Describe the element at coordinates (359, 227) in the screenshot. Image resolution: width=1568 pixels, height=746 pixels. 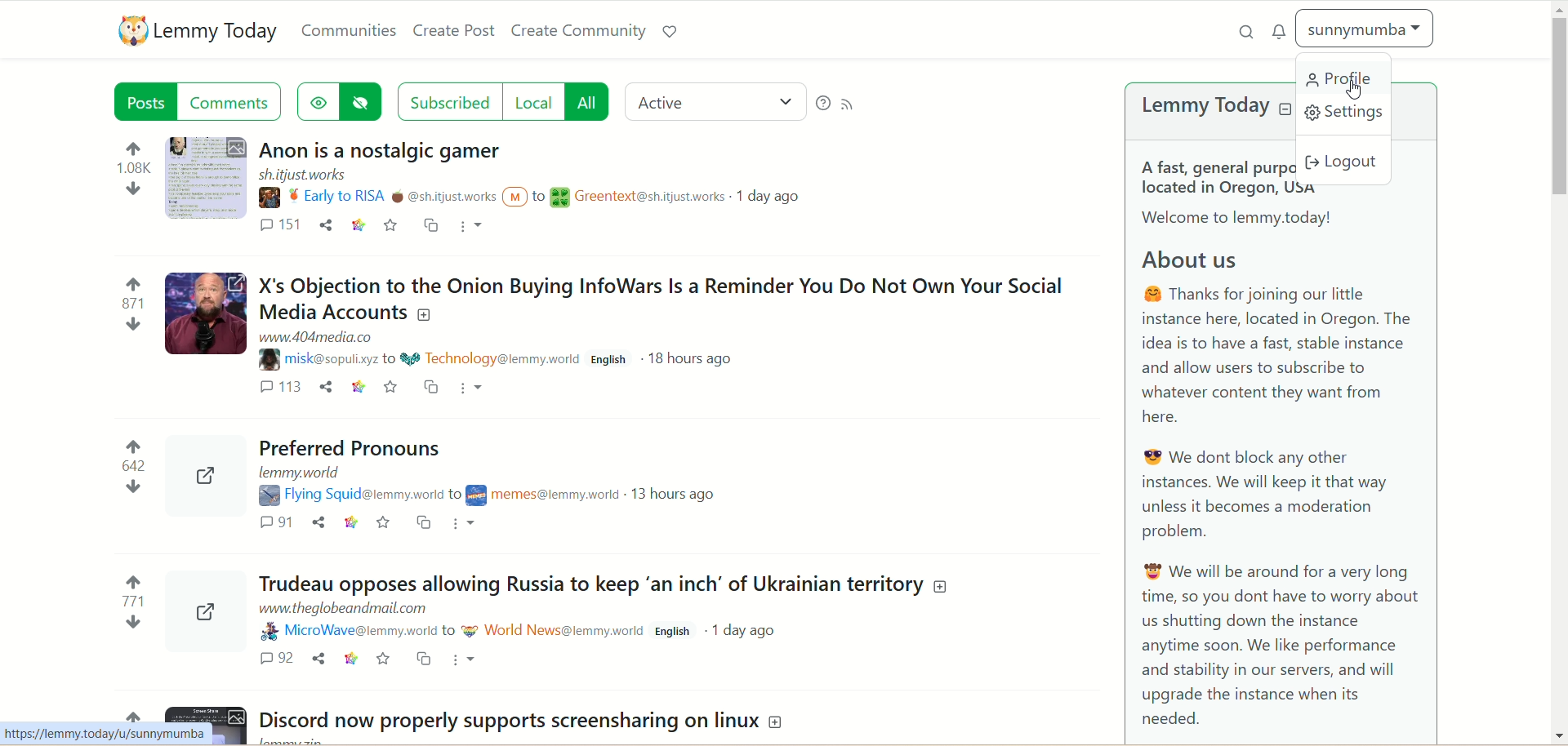
I see `link` at that location.